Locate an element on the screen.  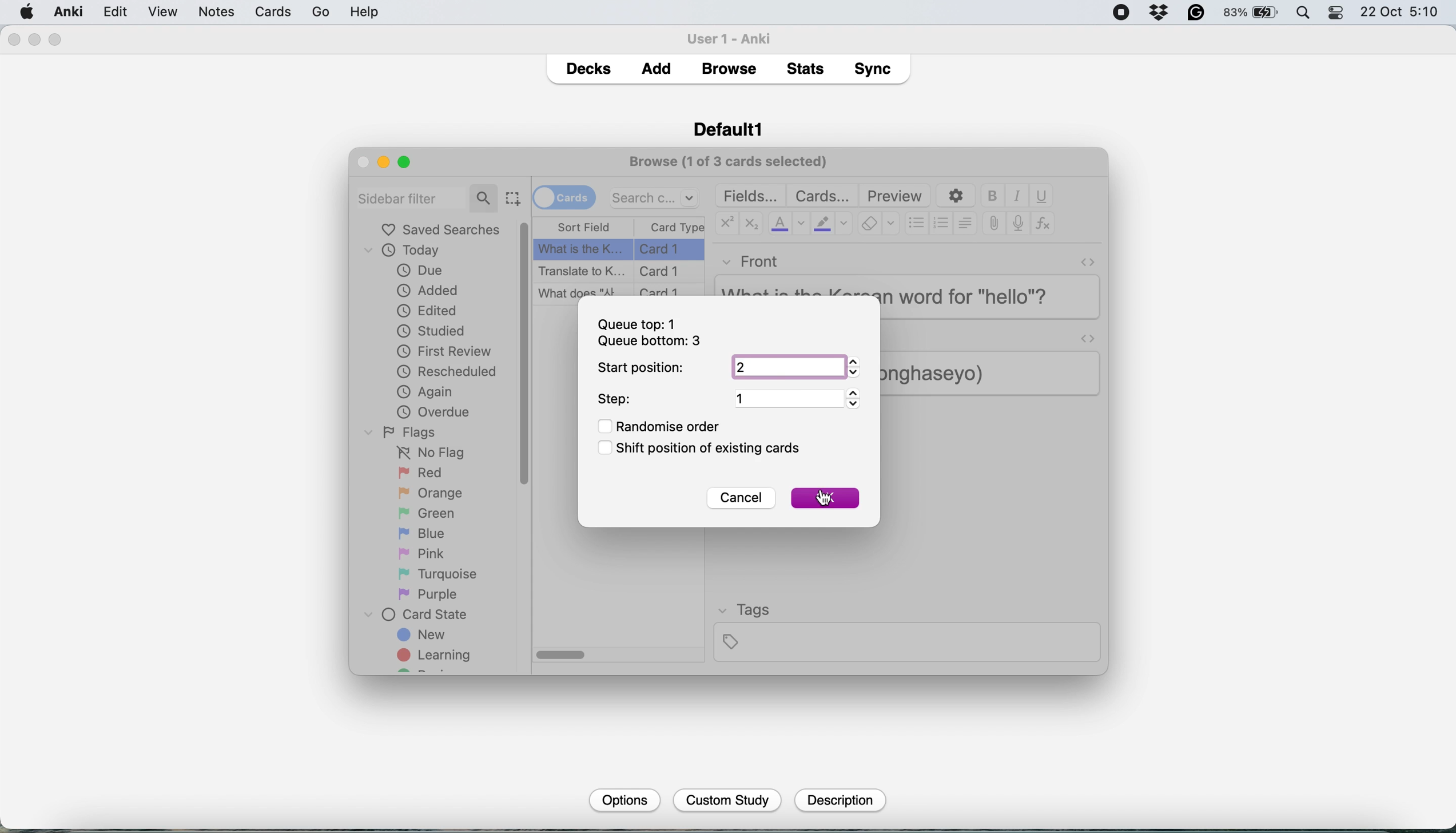
battery is located at coordinates (1252, 13).